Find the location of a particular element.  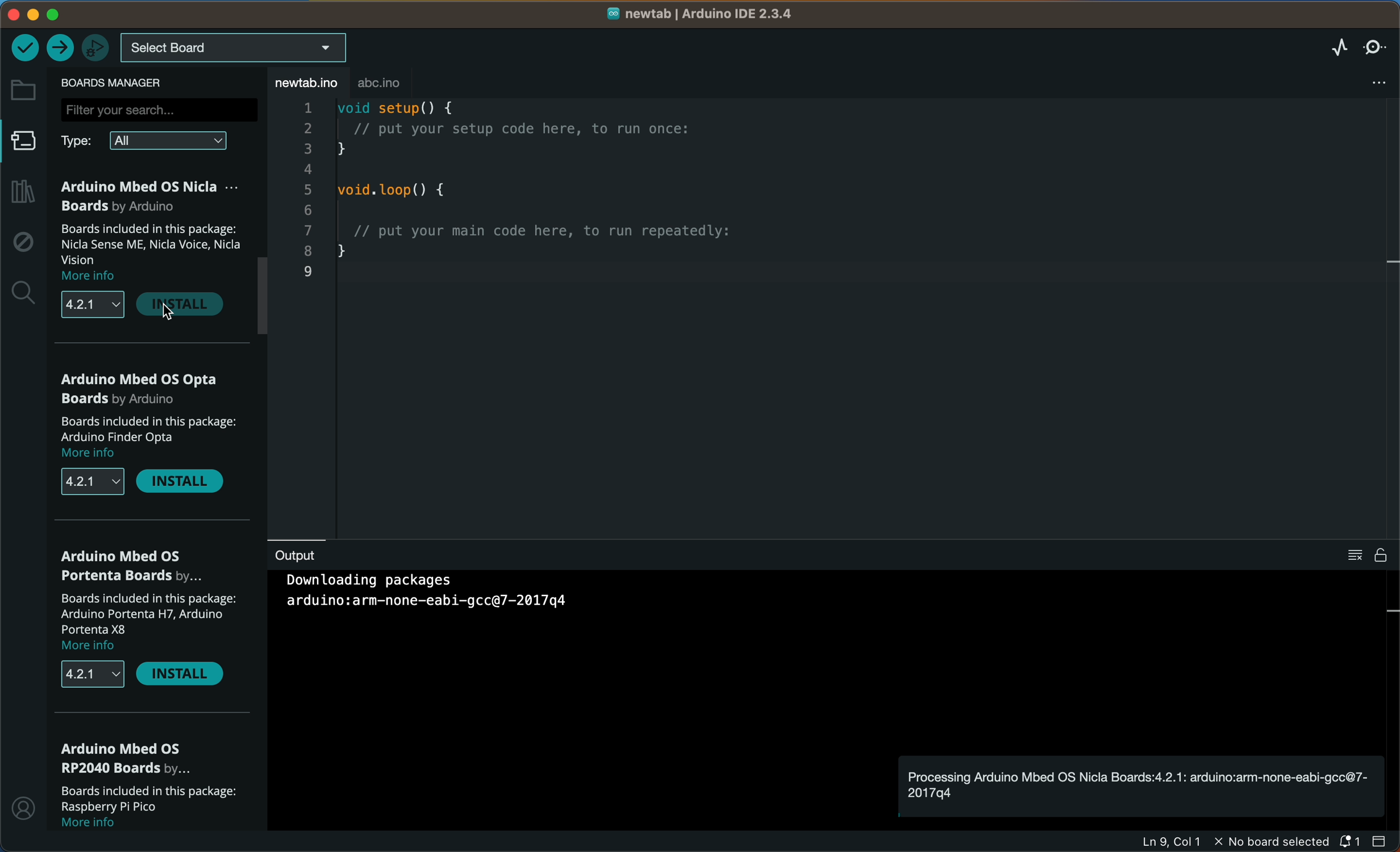

serial monitor is located at coordinates (1376, 48).